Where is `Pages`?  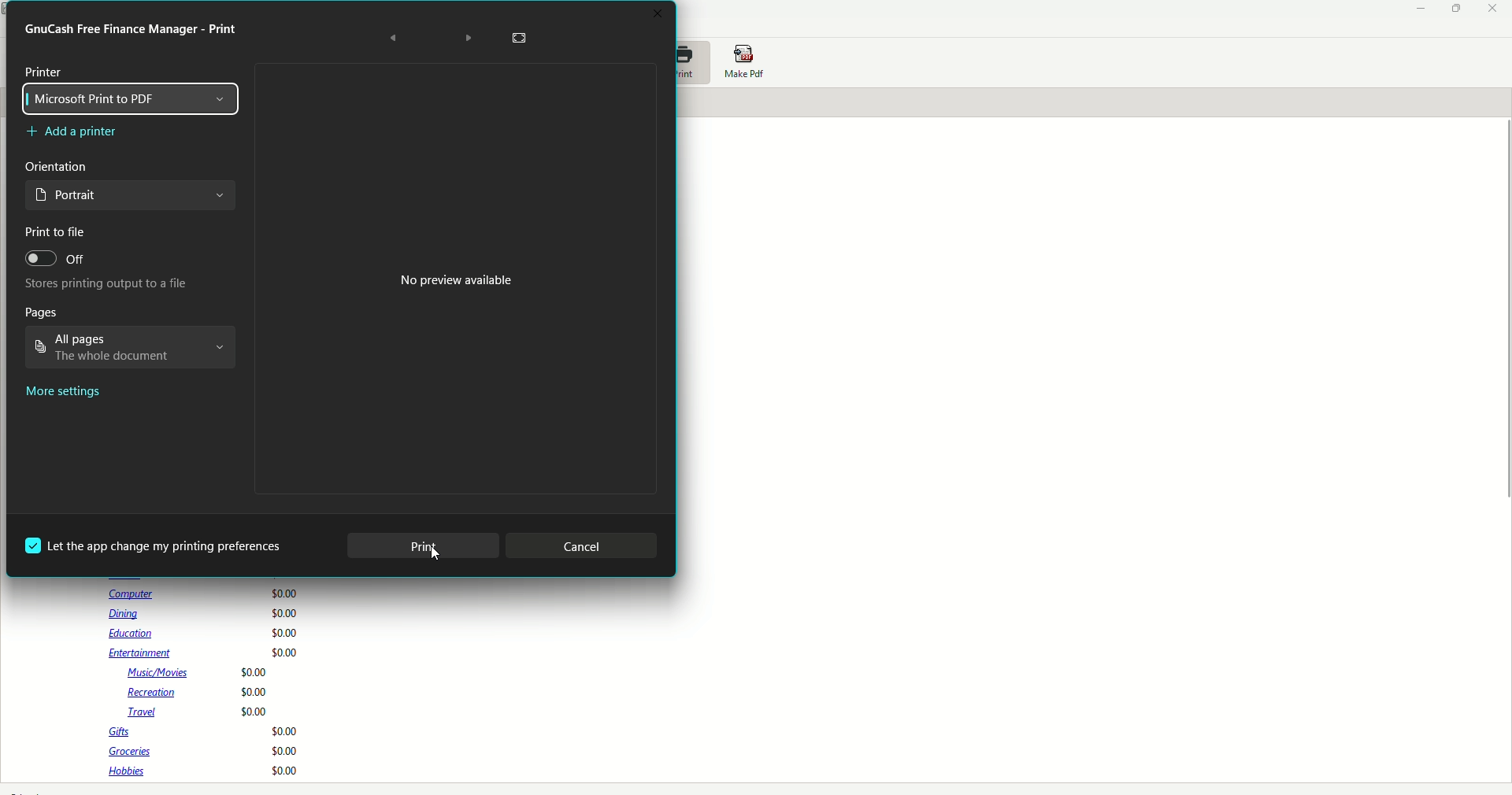 Pages is located at coordinates (42, 312).